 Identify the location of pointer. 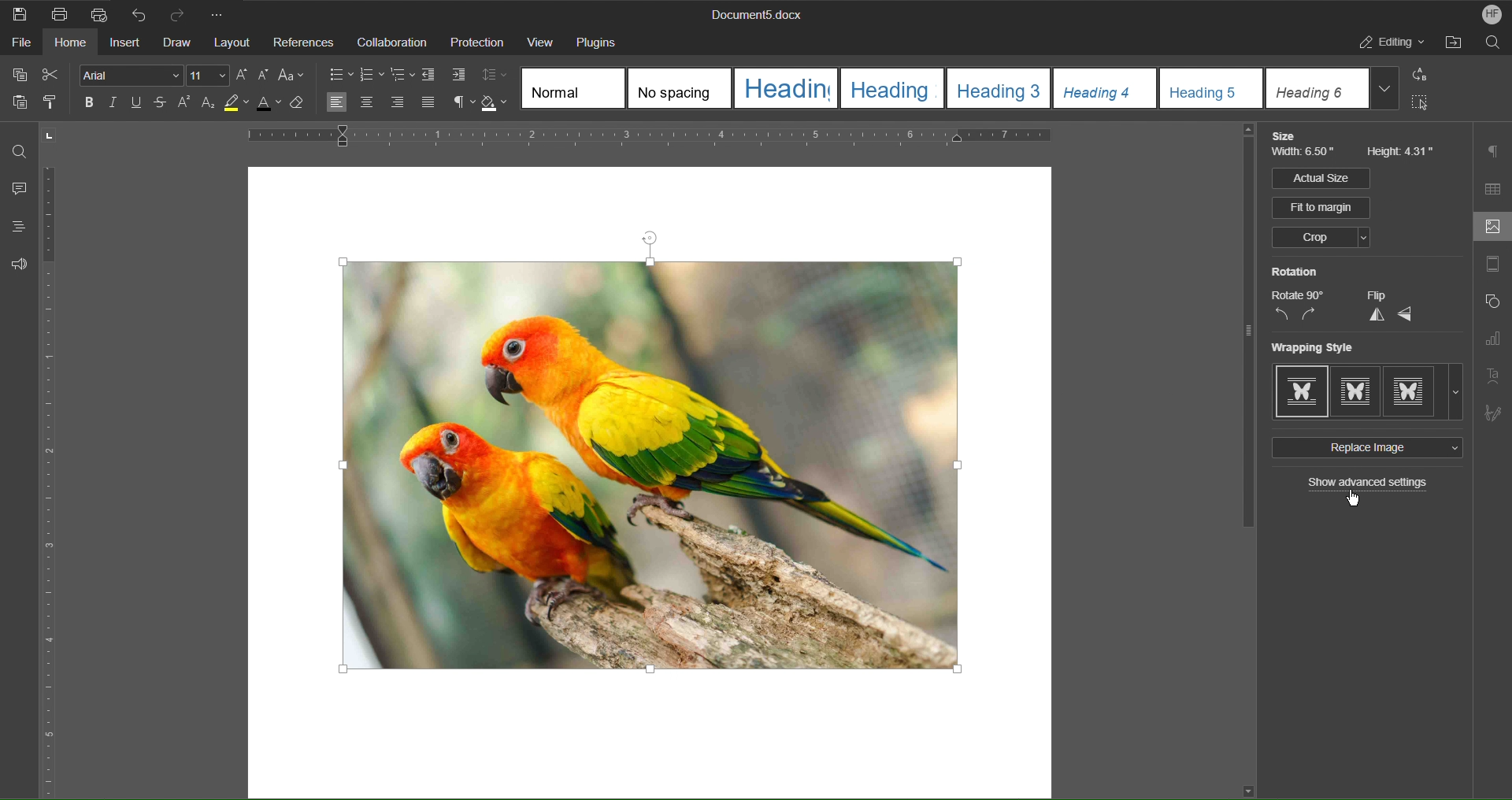
(1358, 499).